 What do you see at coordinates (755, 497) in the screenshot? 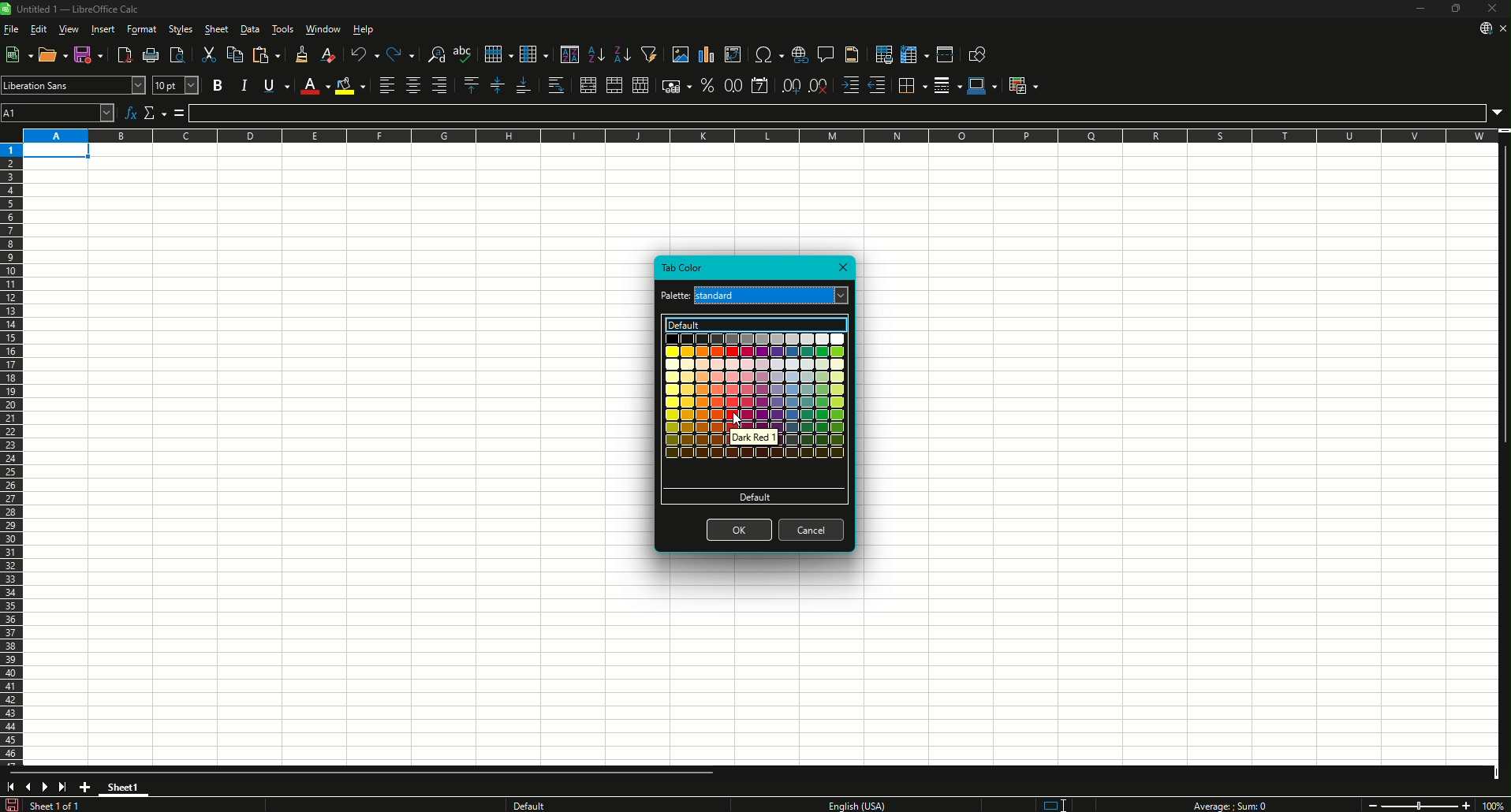
I see `Default` at bounding box center [755, 497].